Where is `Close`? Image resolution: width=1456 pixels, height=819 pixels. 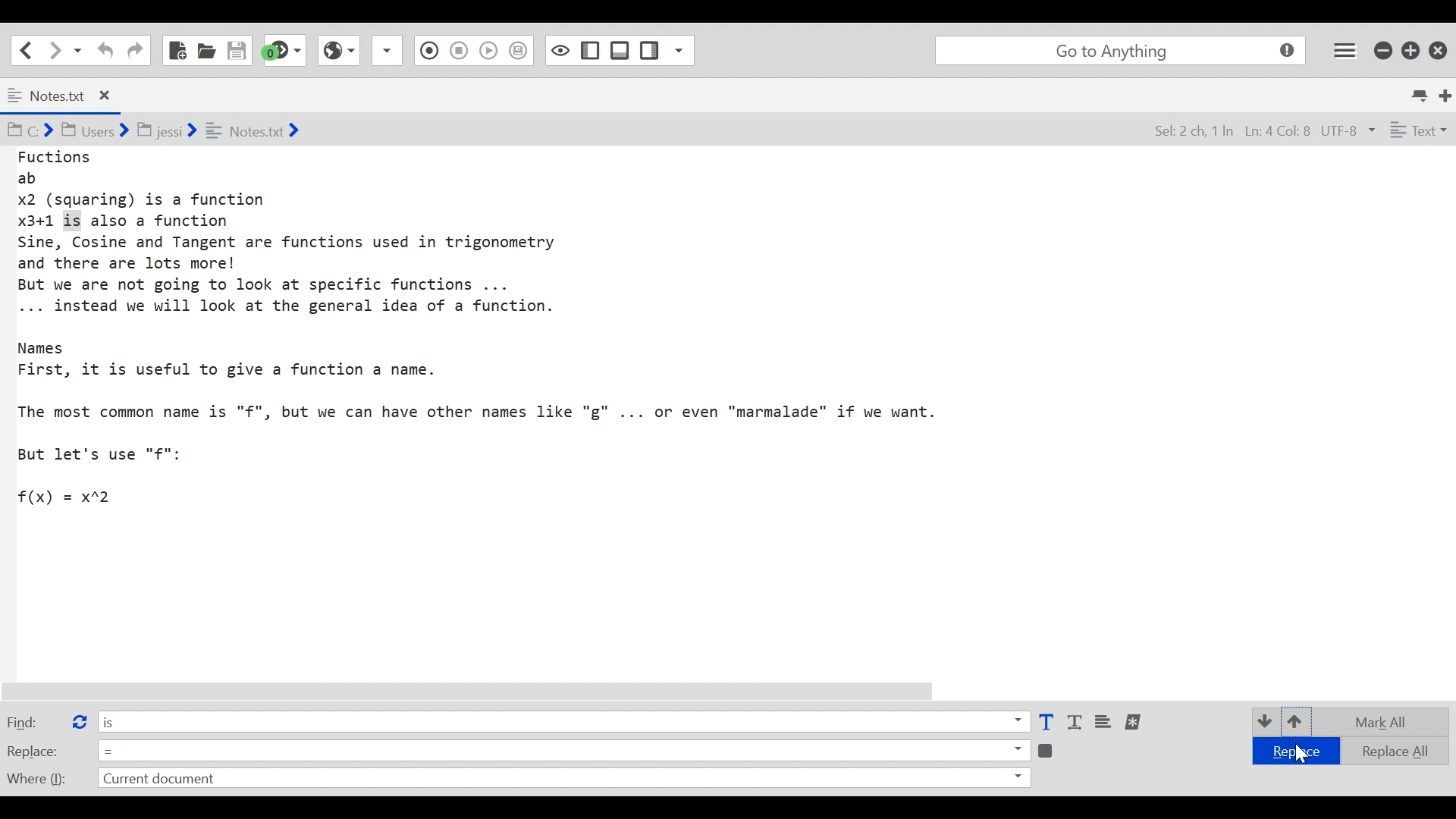 Close is located at coordinates (1440, 47).